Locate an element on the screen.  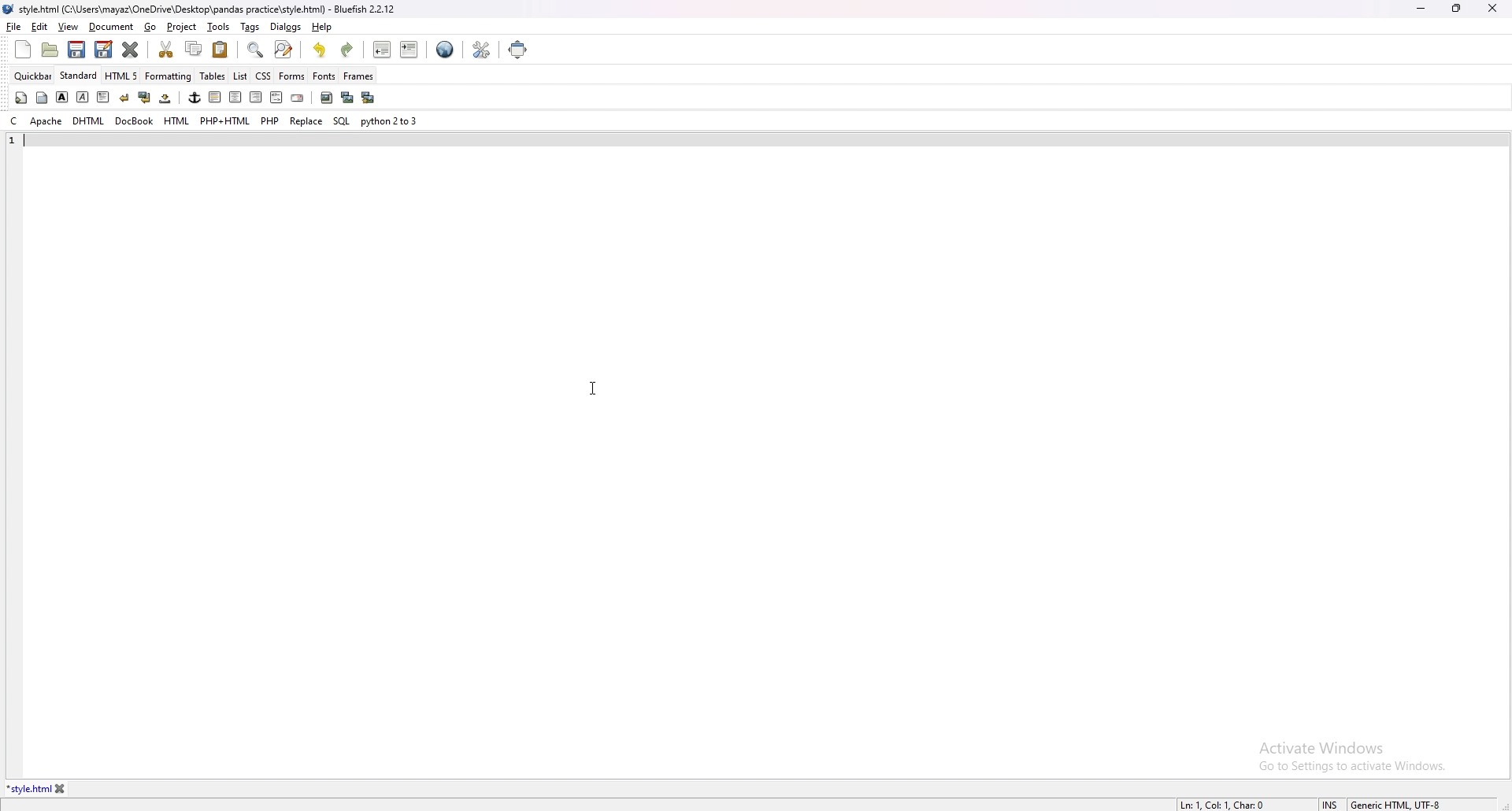
file is located at coordinates (14, 26).